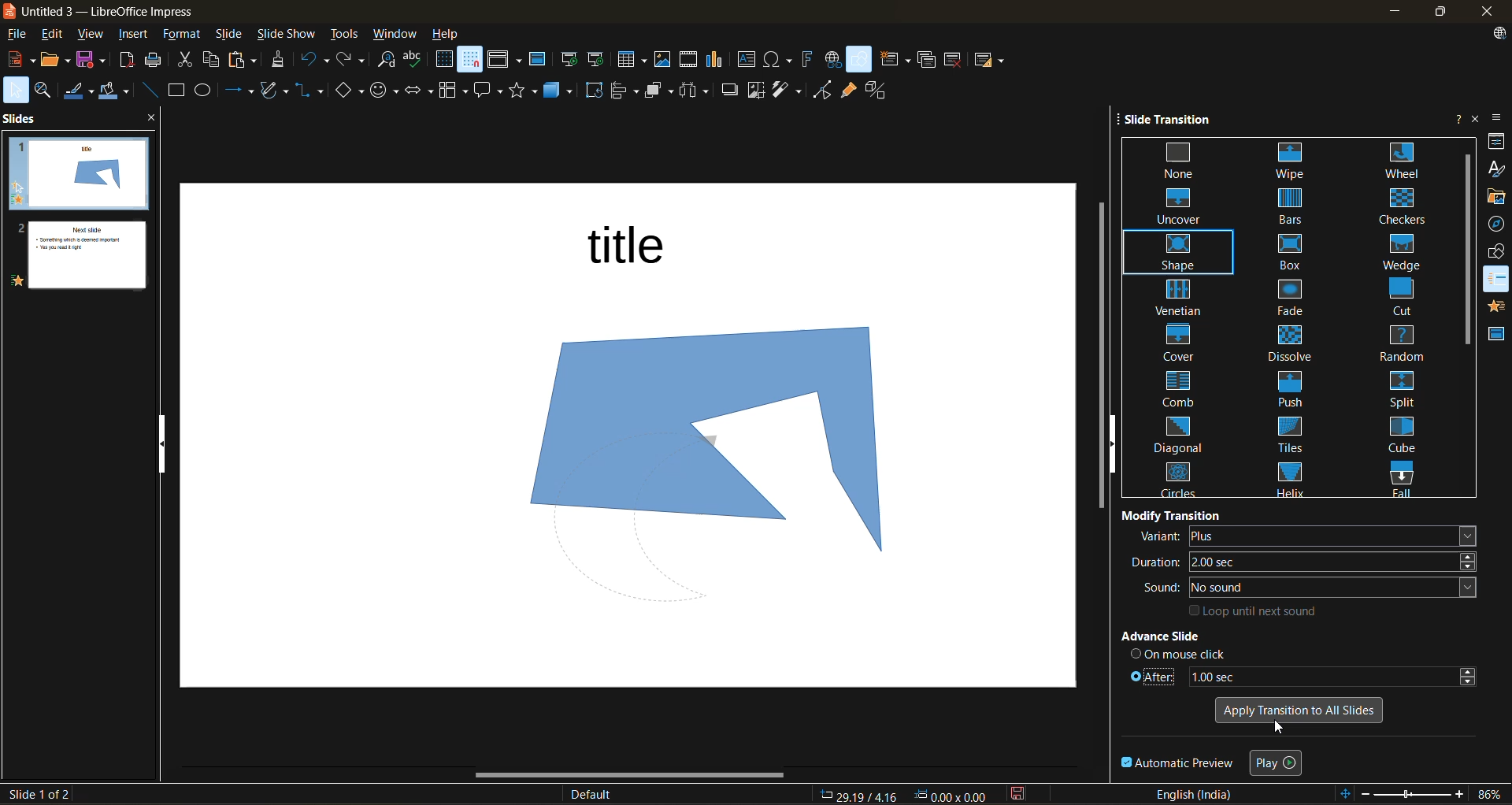 Image resolution: width=1512 pixels, height=805 pixels. What do you see at coordinates (562, 90) in the screenshot?
I see `3d objects` at bounding box center [562, 90].